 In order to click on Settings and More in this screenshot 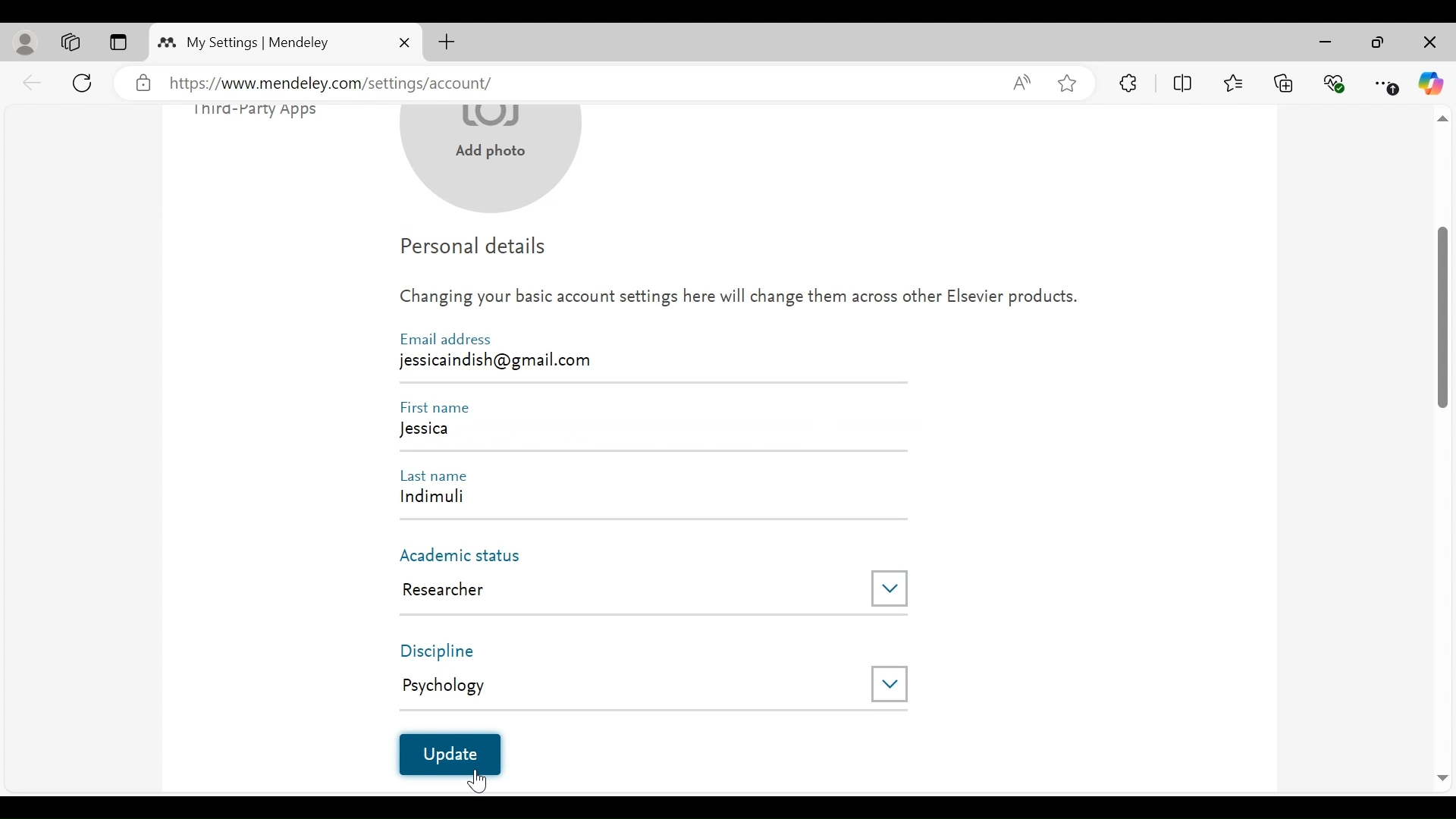, I will do `click(1387, 84)`.